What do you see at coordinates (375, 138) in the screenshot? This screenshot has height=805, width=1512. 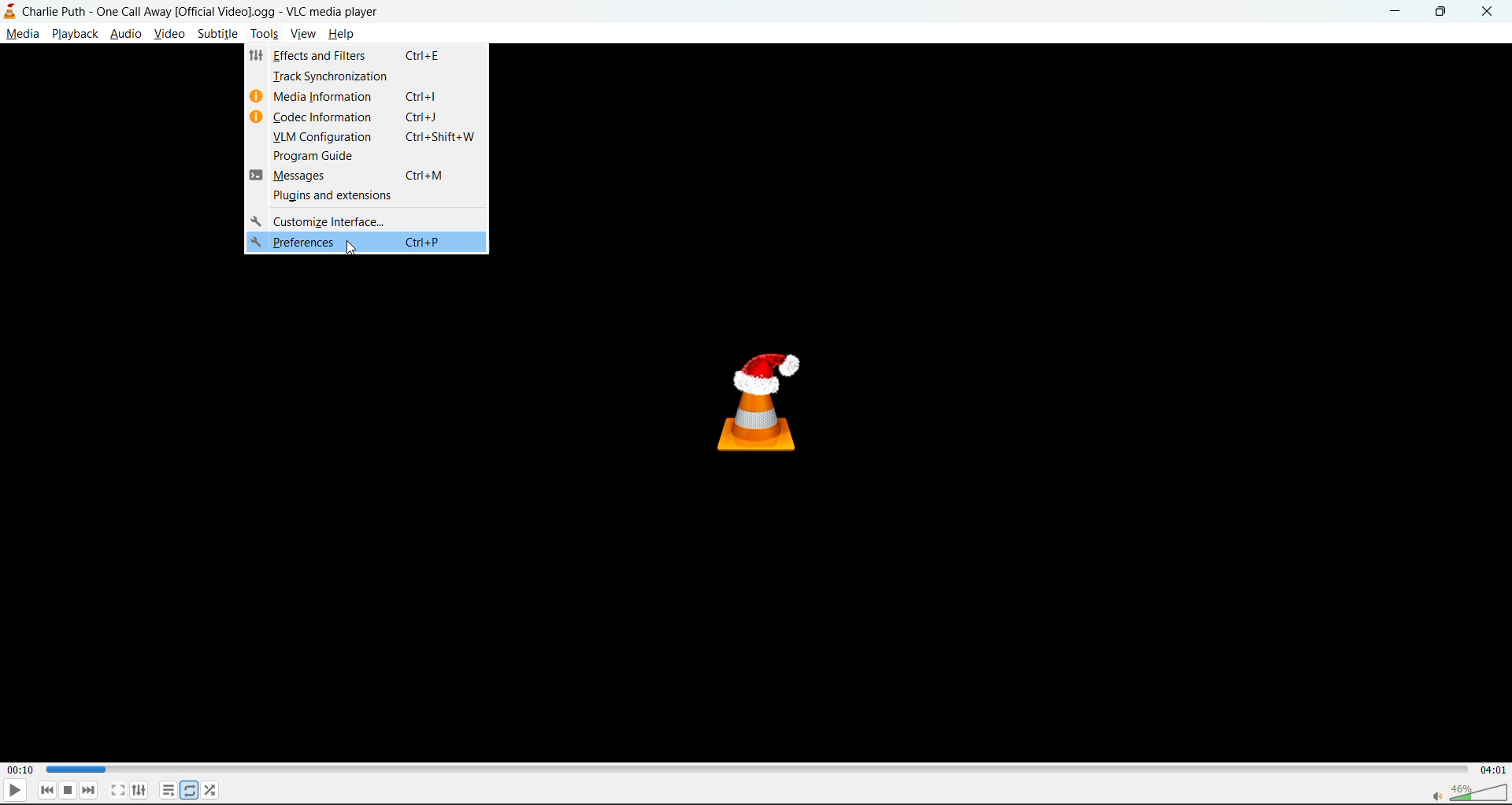 I see `vlm configuration` at bounding box center [375, 138].